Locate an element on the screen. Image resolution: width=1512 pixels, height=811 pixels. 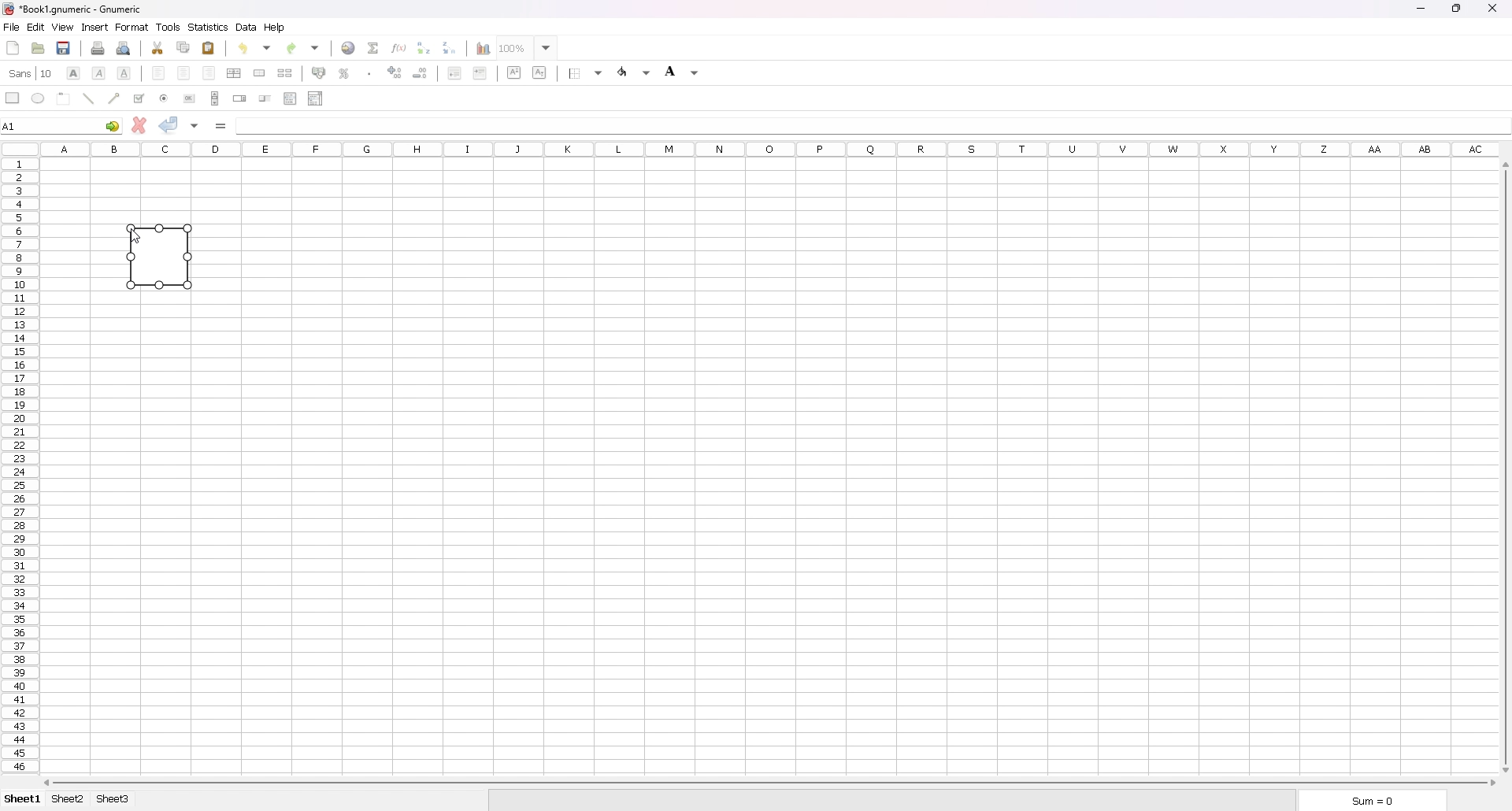
centre is located at coordinates (183, 72).